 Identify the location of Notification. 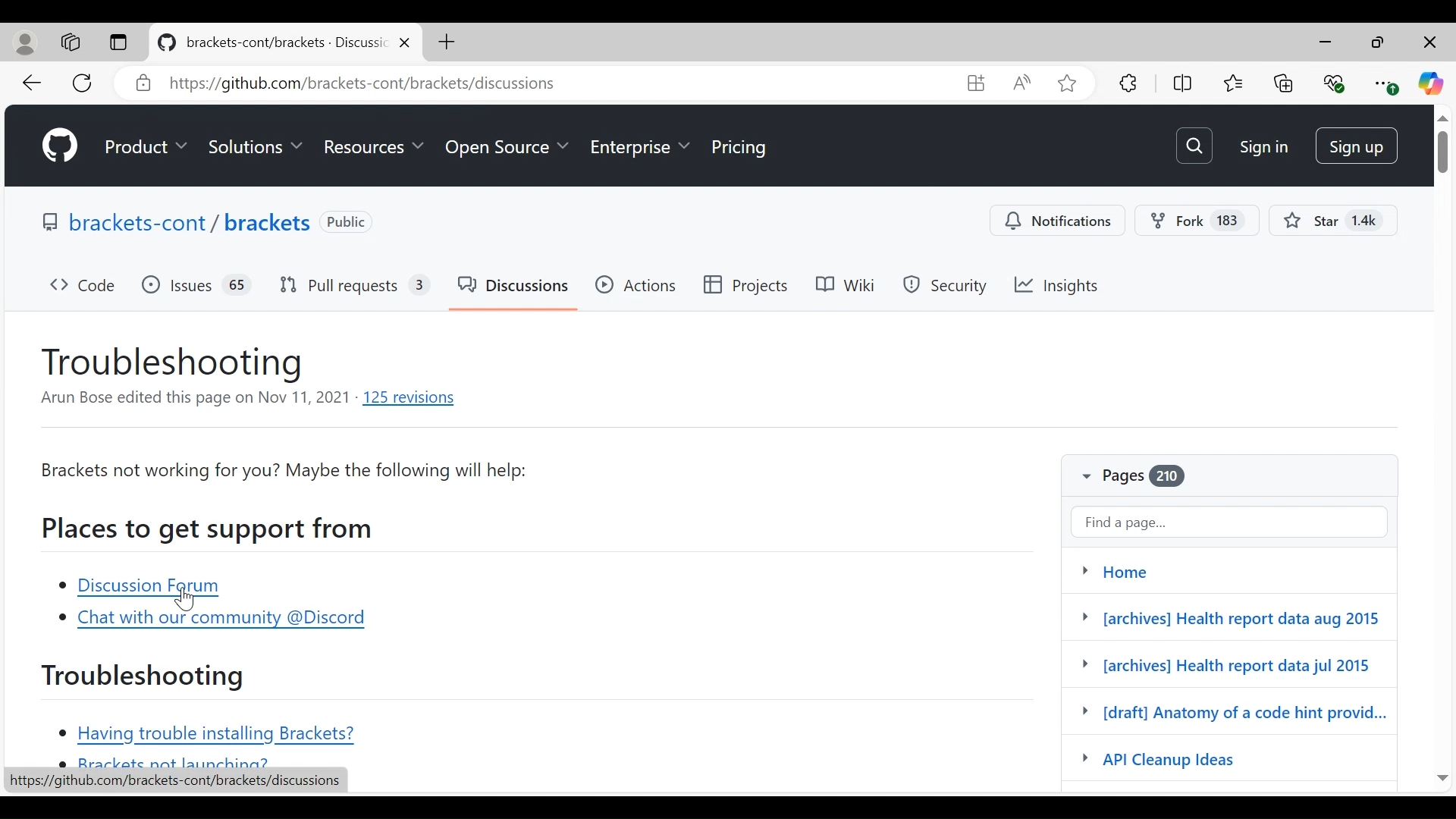
(1059, 222).